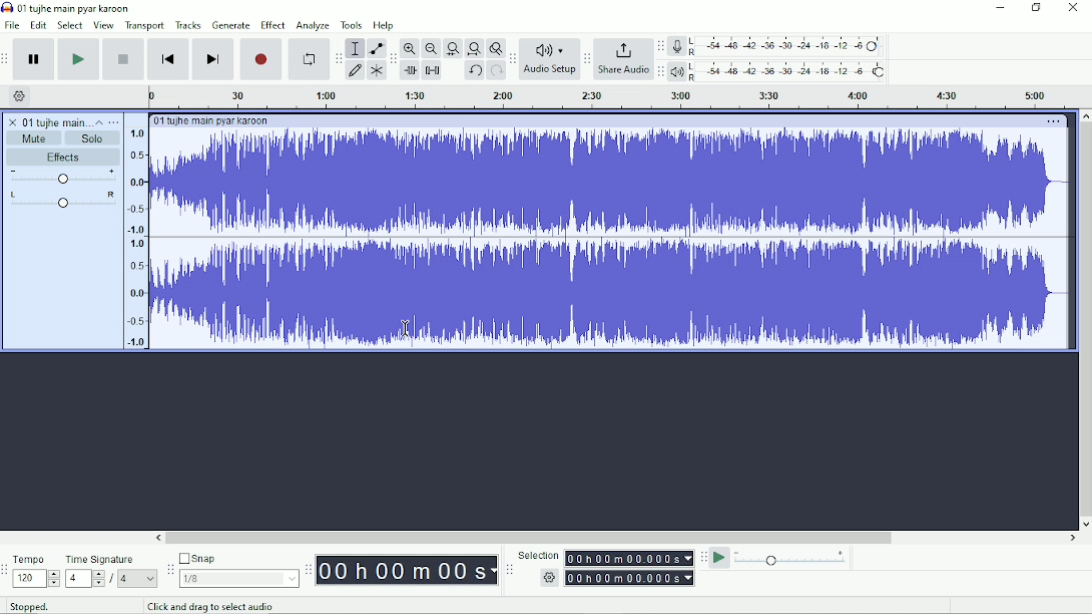 Image resolution: width=1092 pixels, height=614 pixels. What do you see at coordinates (1001, 9) in the screenshot?
I see `Minimize` at bounding box center [1001, 9].